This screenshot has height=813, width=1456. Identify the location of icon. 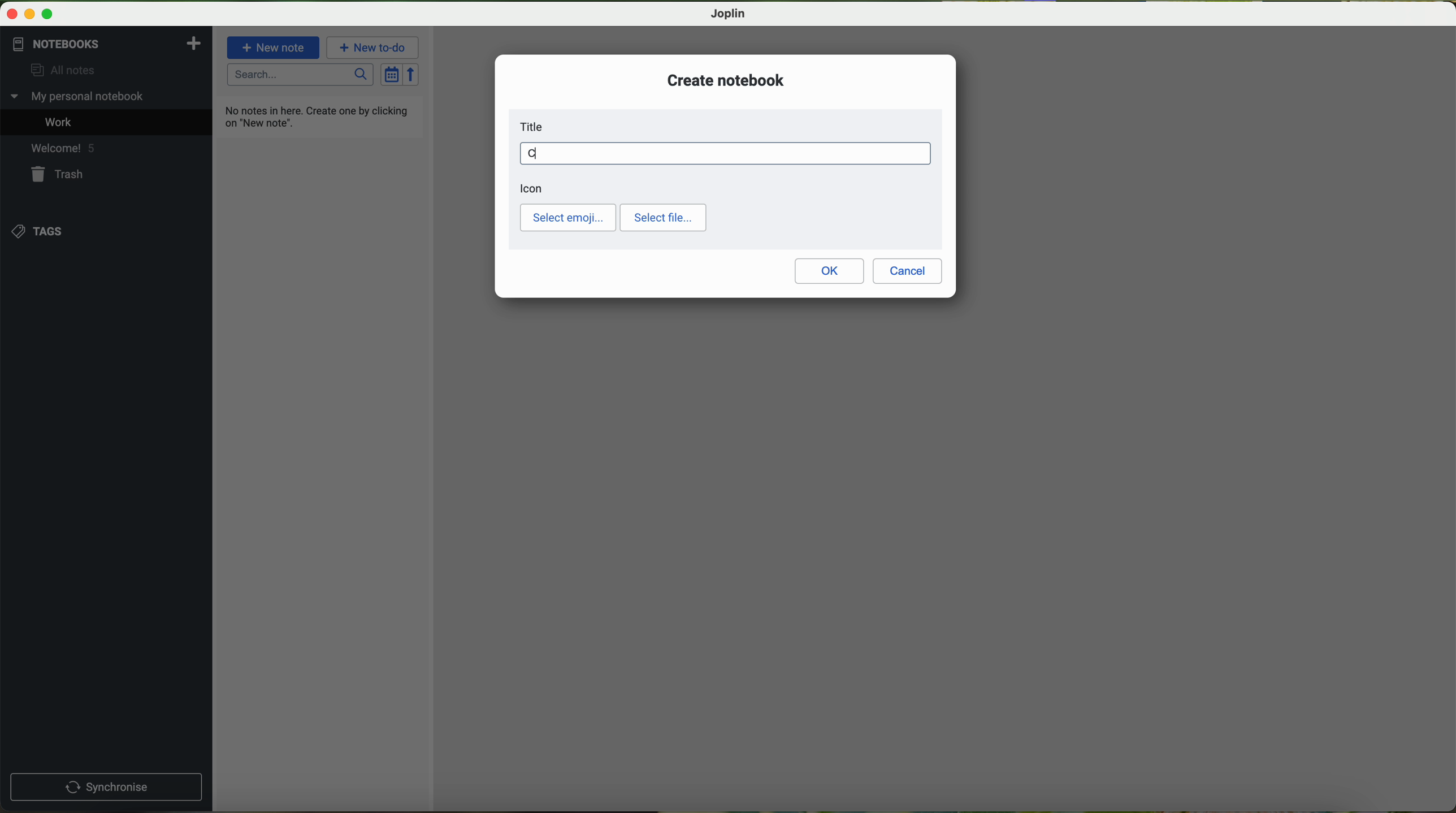
(532, 188).